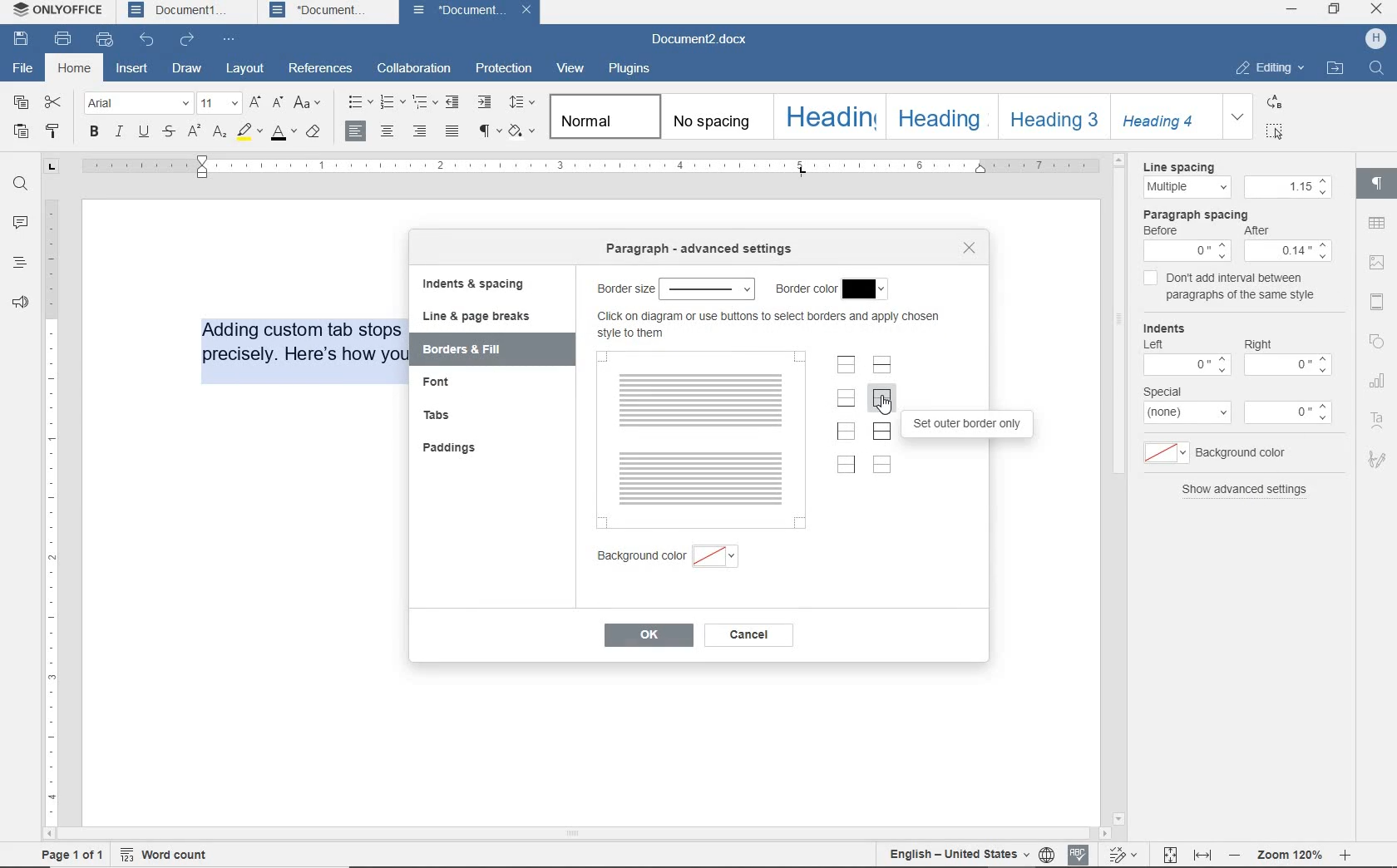 The image size is (1397, 868). What do you see at coordinates (22, 101) in the screenshot?
I see `copy` at bounding box center [22, 101].